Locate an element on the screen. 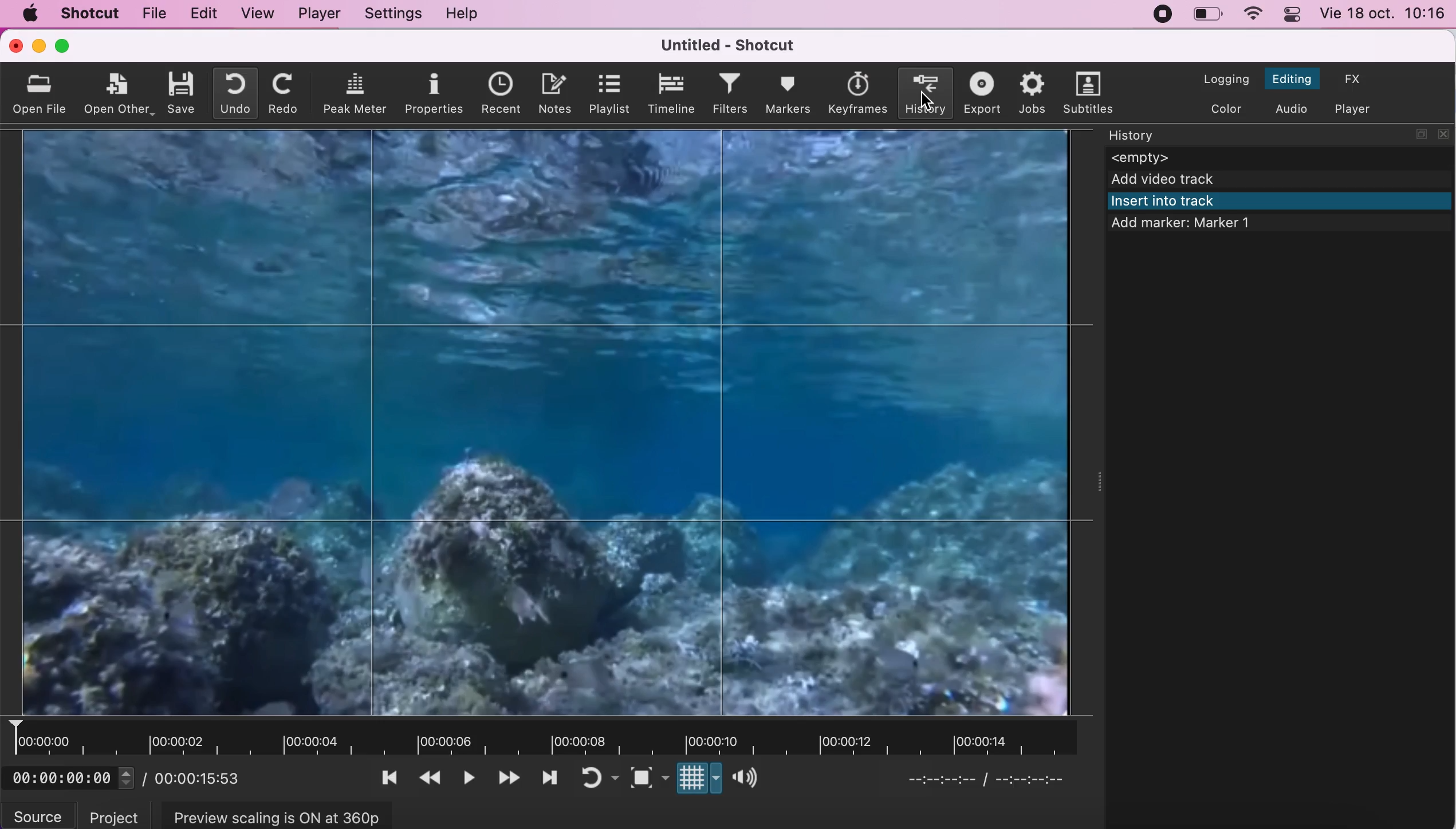 This screenshot has height=829, width=1456. edit is located at coordinates (201, 14).